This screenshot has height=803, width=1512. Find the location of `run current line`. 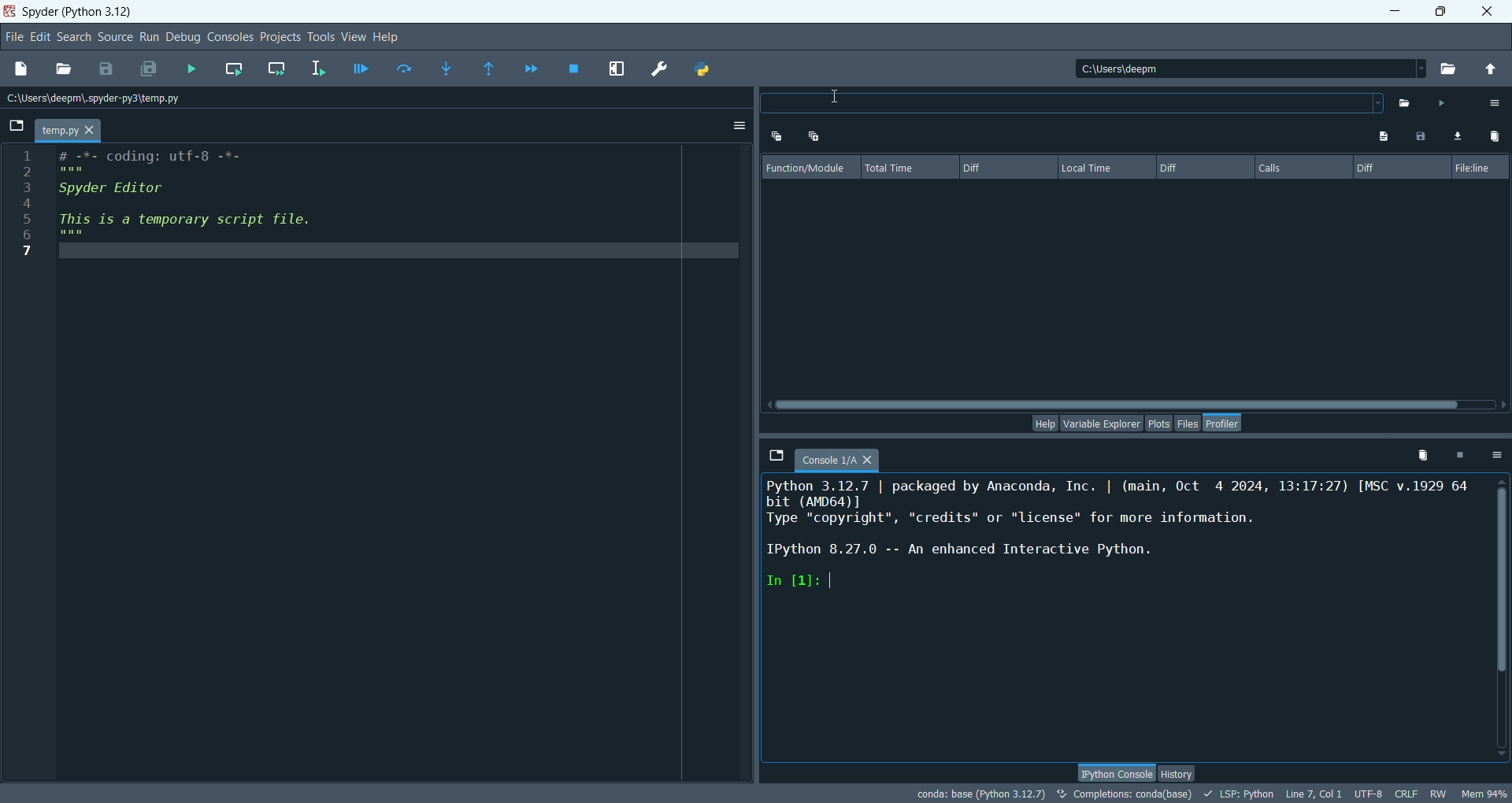

run current line is located at coordinates (404, 68).